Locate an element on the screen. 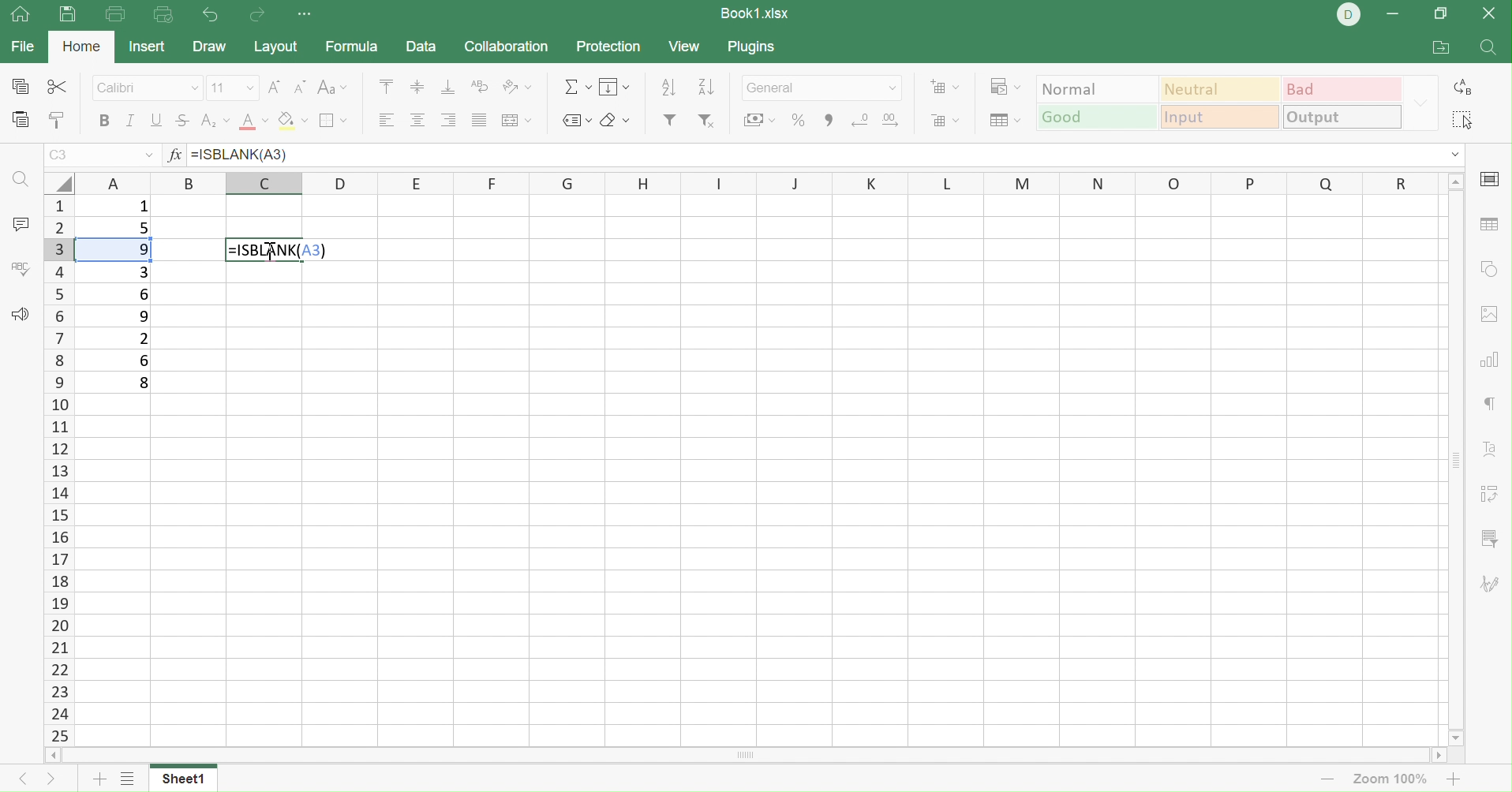  Sort descending is located at coordinates (672, 88).